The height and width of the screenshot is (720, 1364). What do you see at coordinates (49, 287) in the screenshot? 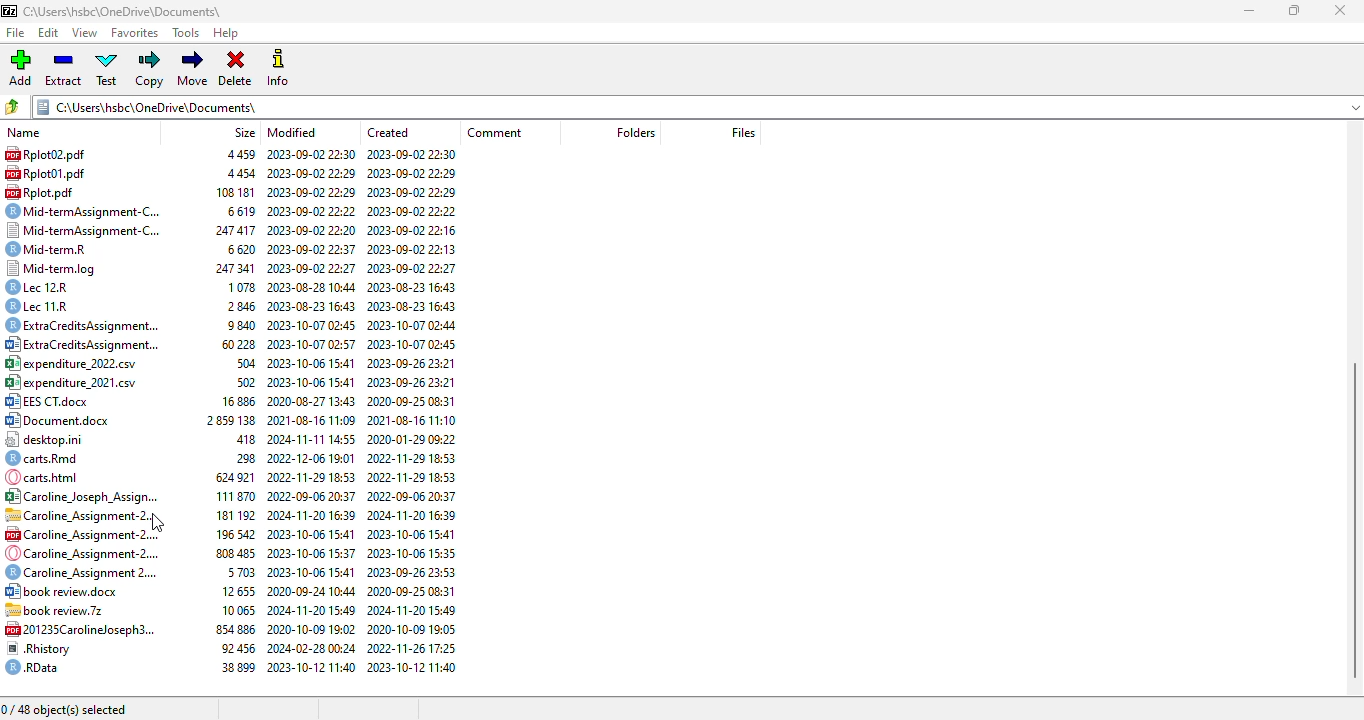
I see `lec 12r` at bounding box center [49, 287].